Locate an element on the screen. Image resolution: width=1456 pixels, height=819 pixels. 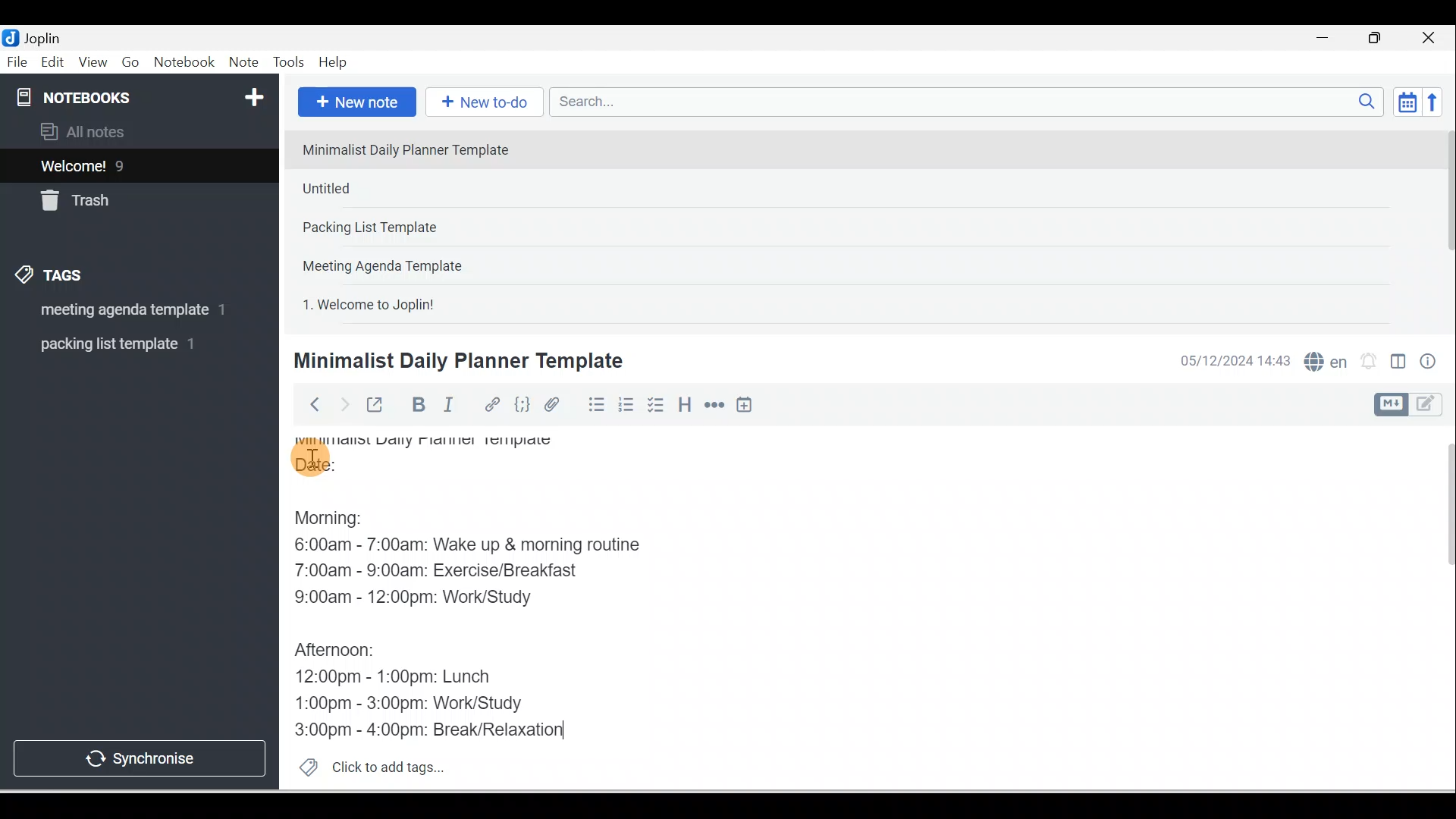
Note is located at coordinates (242, 63).